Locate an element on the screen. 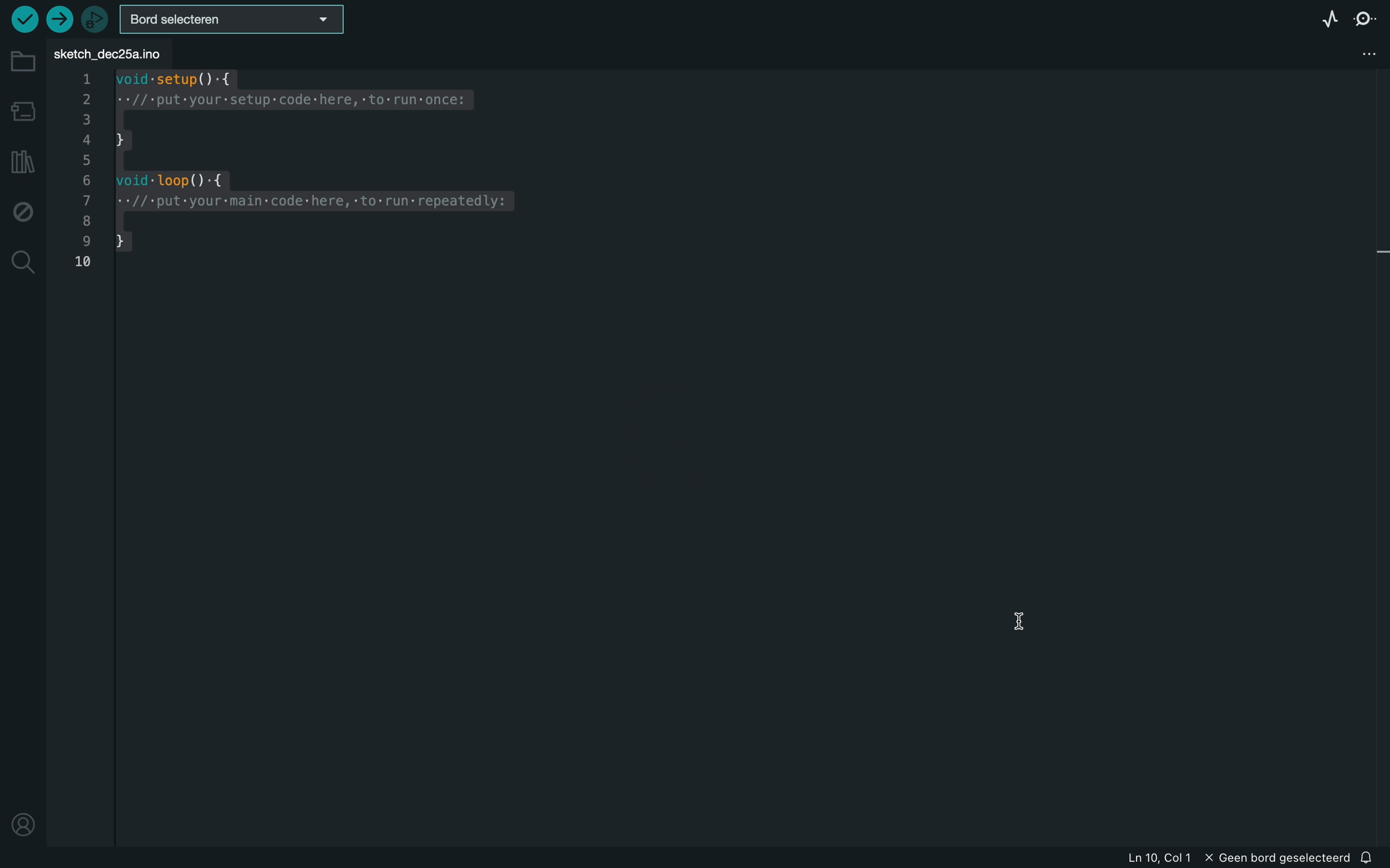 The height and width of the screenshot is (868, 1390). debug is located at coordinates (23, 211).